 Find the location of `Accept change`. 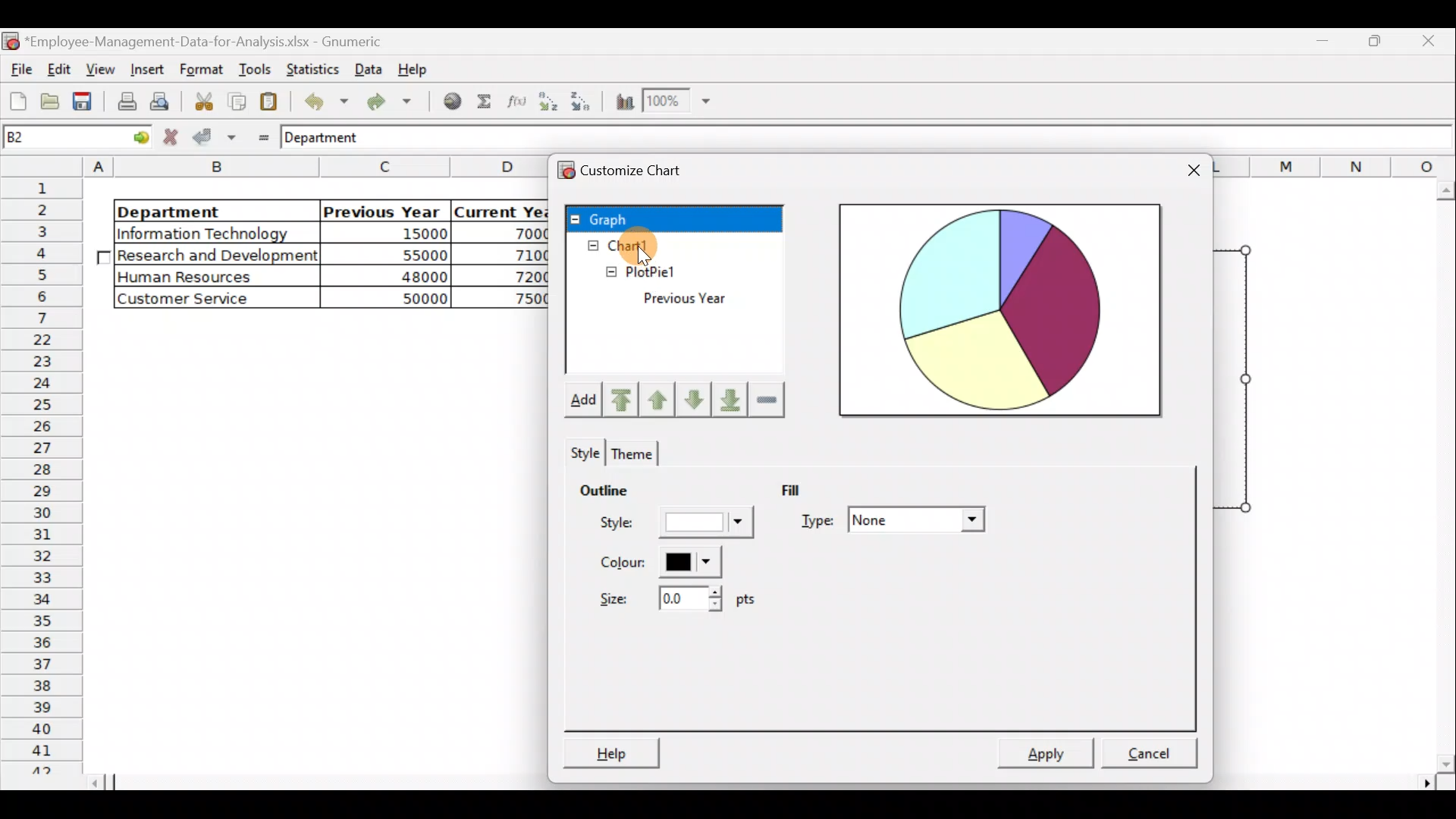

Accept change is located at coordinates (215, 137).